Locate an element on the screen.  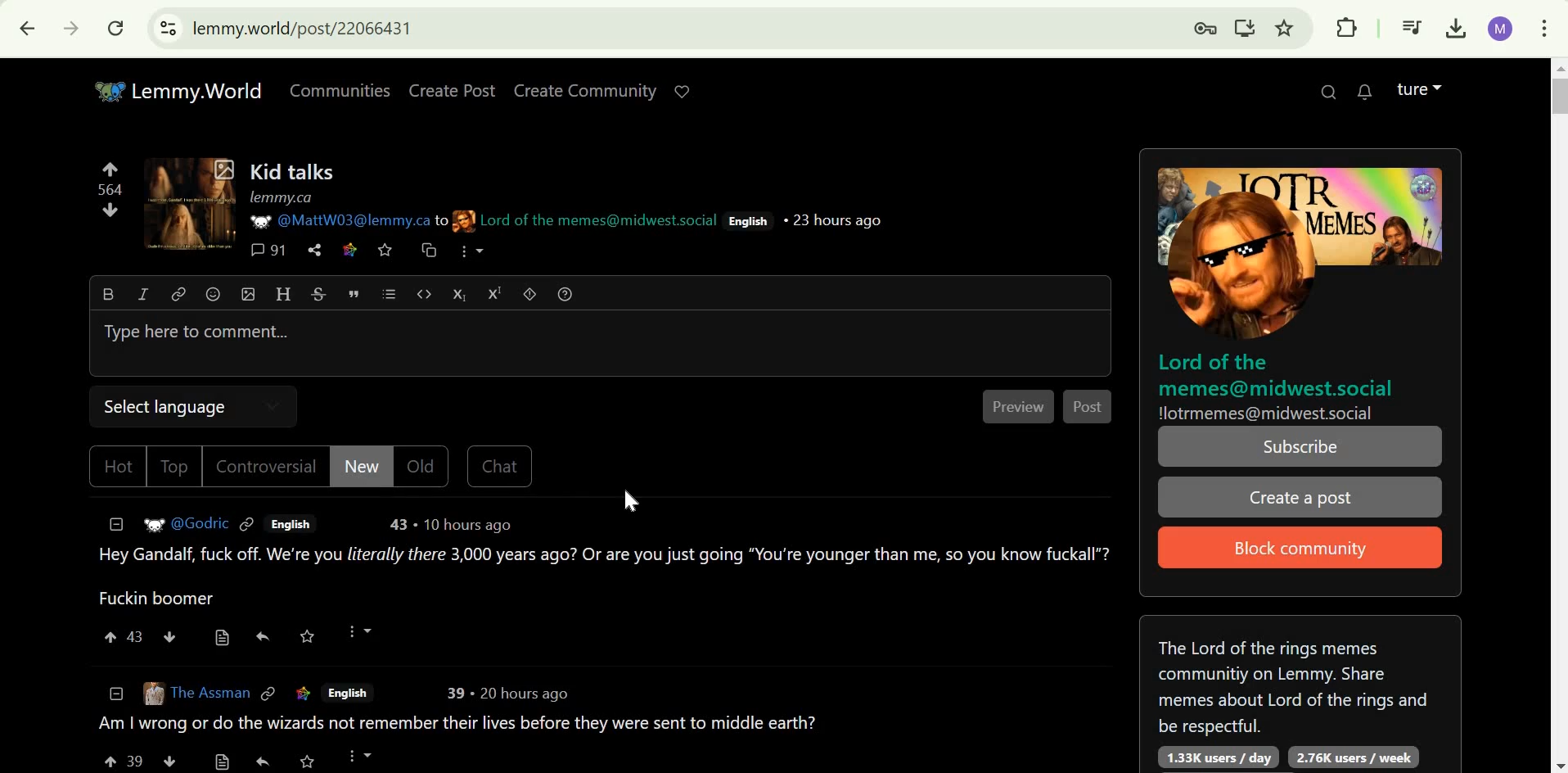
Controversial is located at coordinates (265, 466).